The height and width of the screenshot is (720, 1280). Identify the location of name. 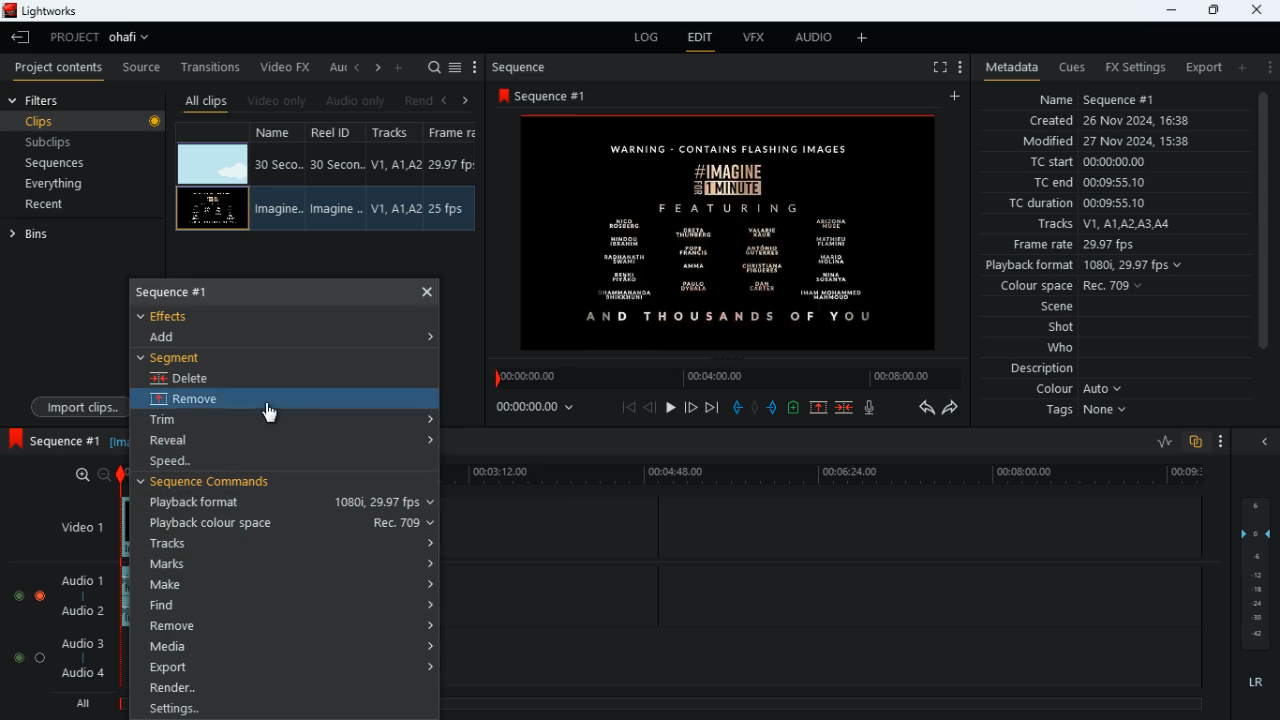
(1097, 99).